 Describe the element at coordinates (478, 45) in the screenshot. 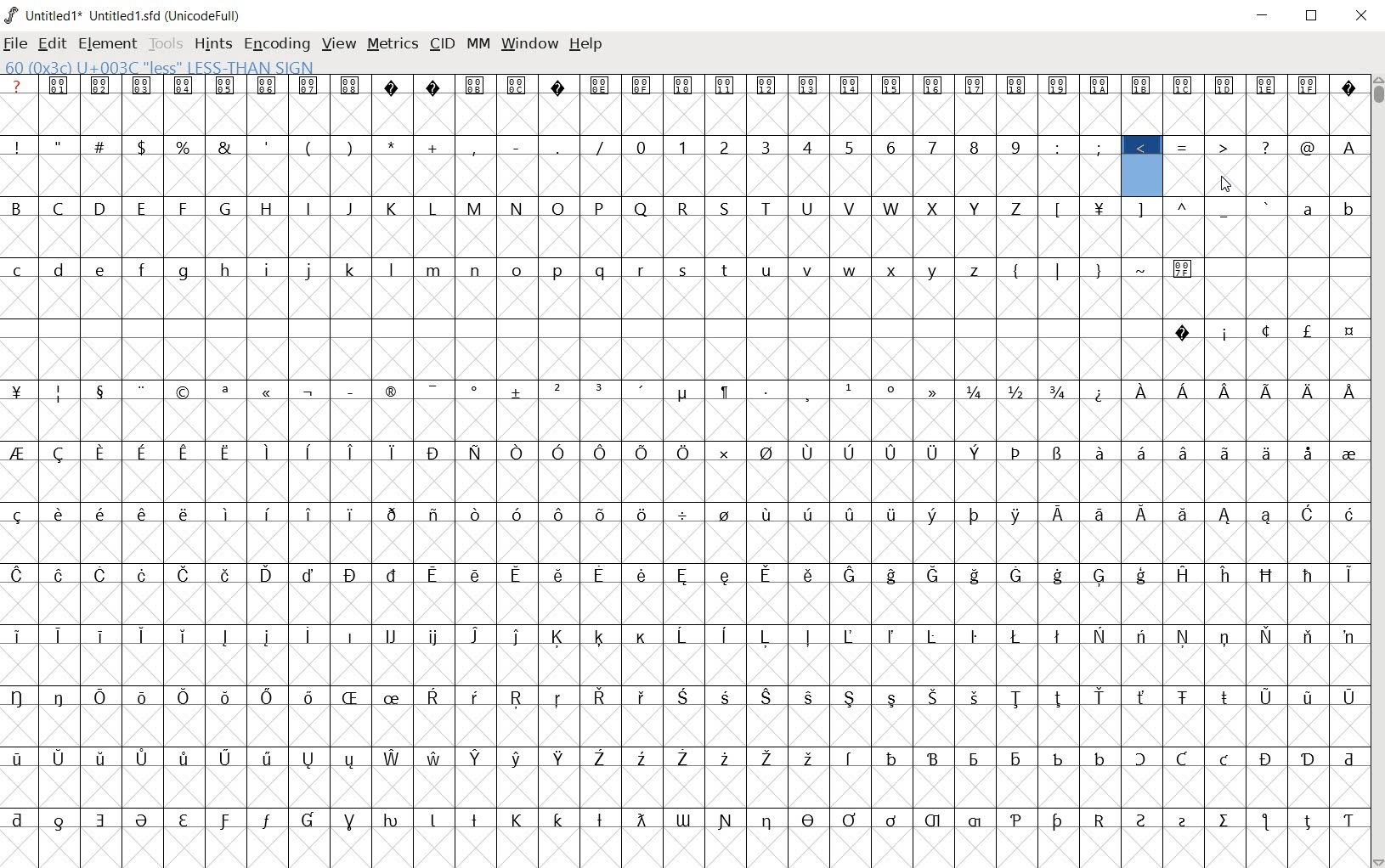

I see `mm` at that location.